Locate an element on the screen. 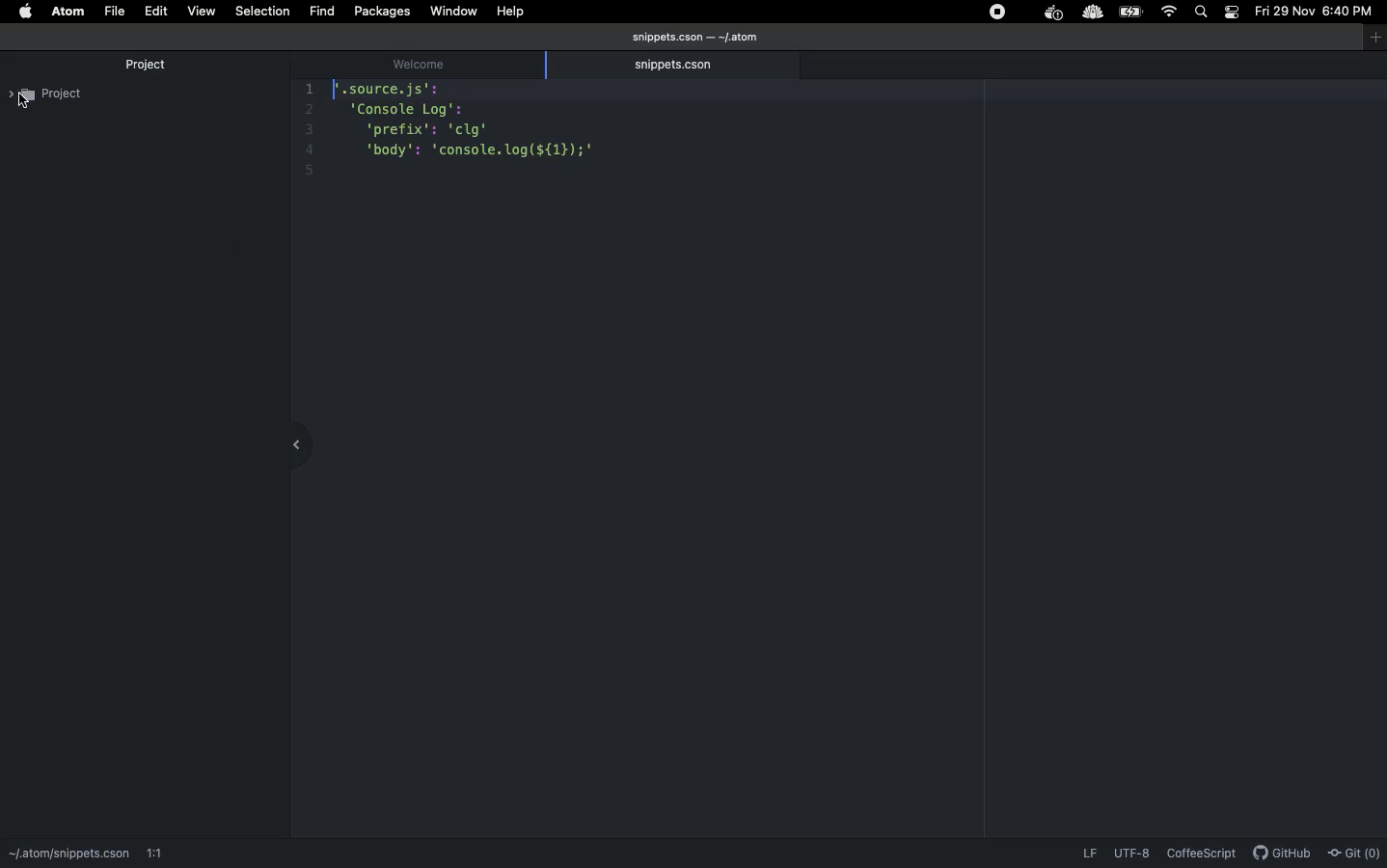 This screenshot has height=868, width=1387. Project is located at coordinates (145, 94).